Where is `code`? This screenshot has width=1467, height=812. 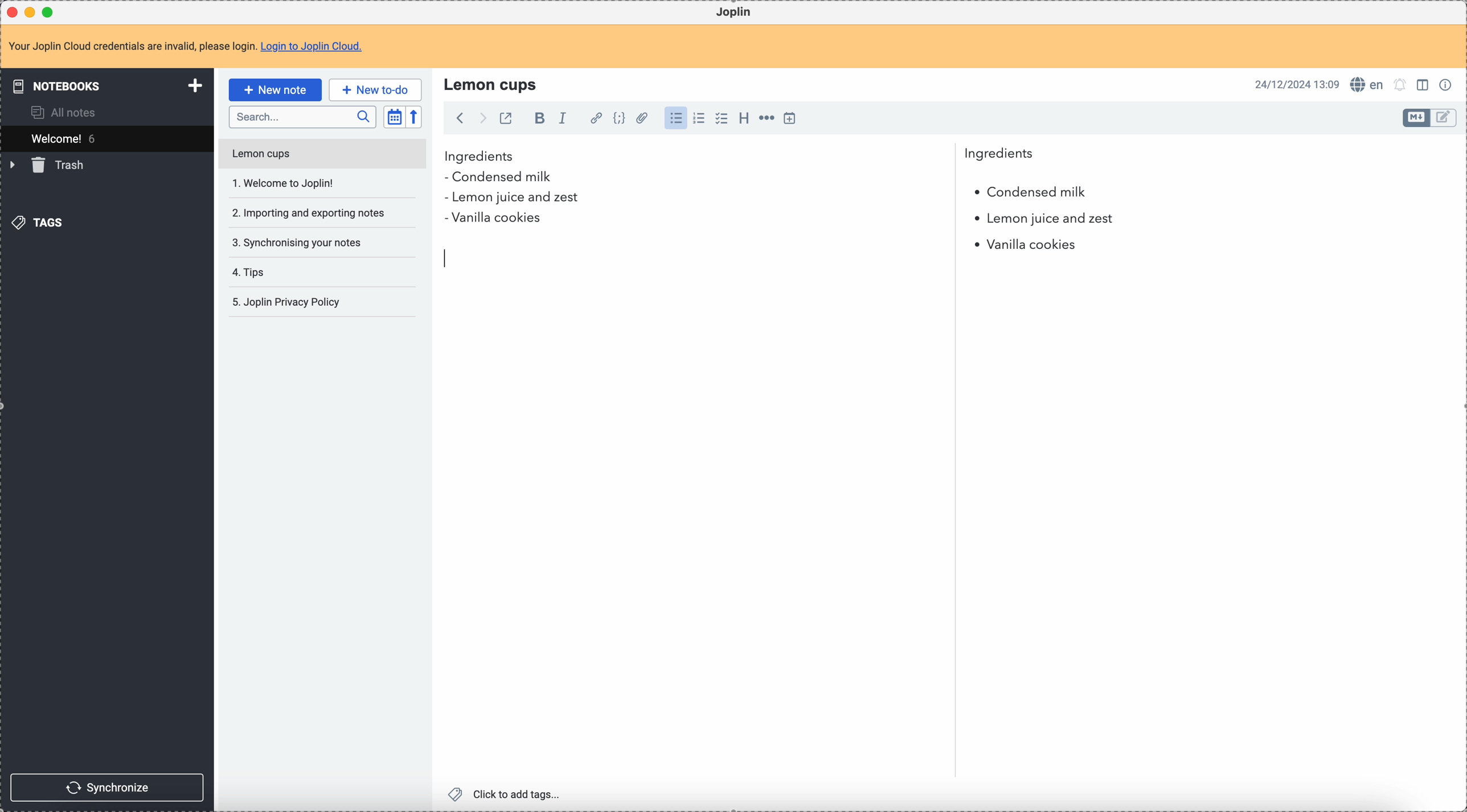 code is located at coordinates (619, 119).